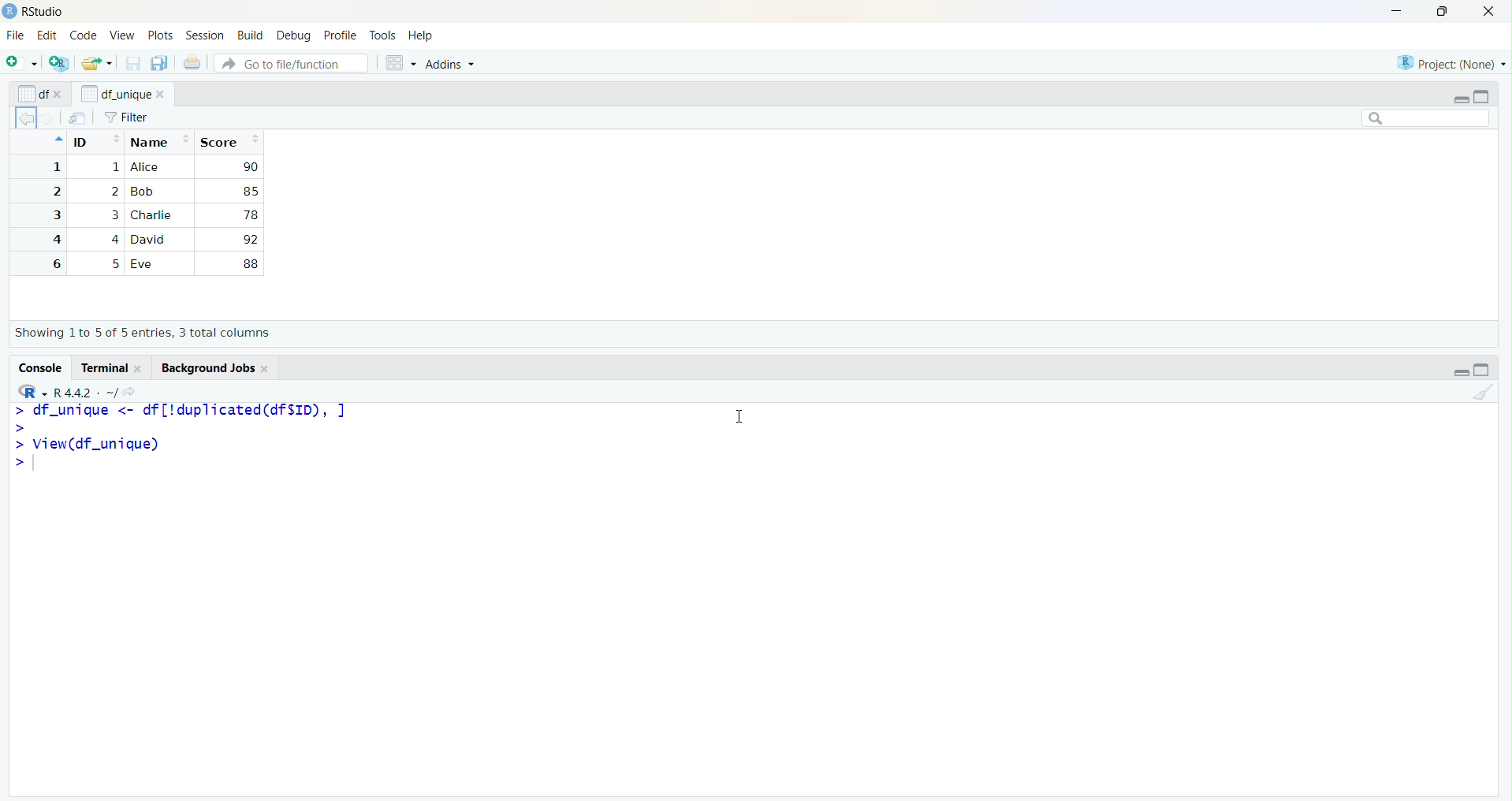 The height and width of the screenshot is (801, 1512). I want to click on 2, so click(114, 264).